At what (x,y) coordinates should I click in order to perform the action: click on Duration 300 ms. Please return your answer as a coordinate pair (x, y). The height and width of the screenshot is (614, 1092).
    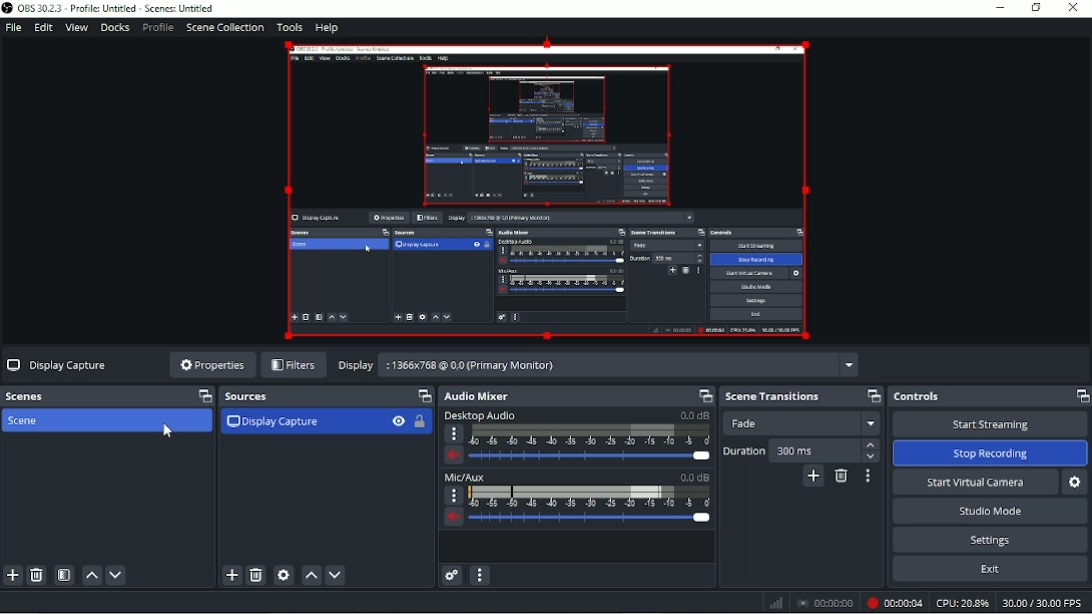
    Looking at the image, I should click on (802, 450).